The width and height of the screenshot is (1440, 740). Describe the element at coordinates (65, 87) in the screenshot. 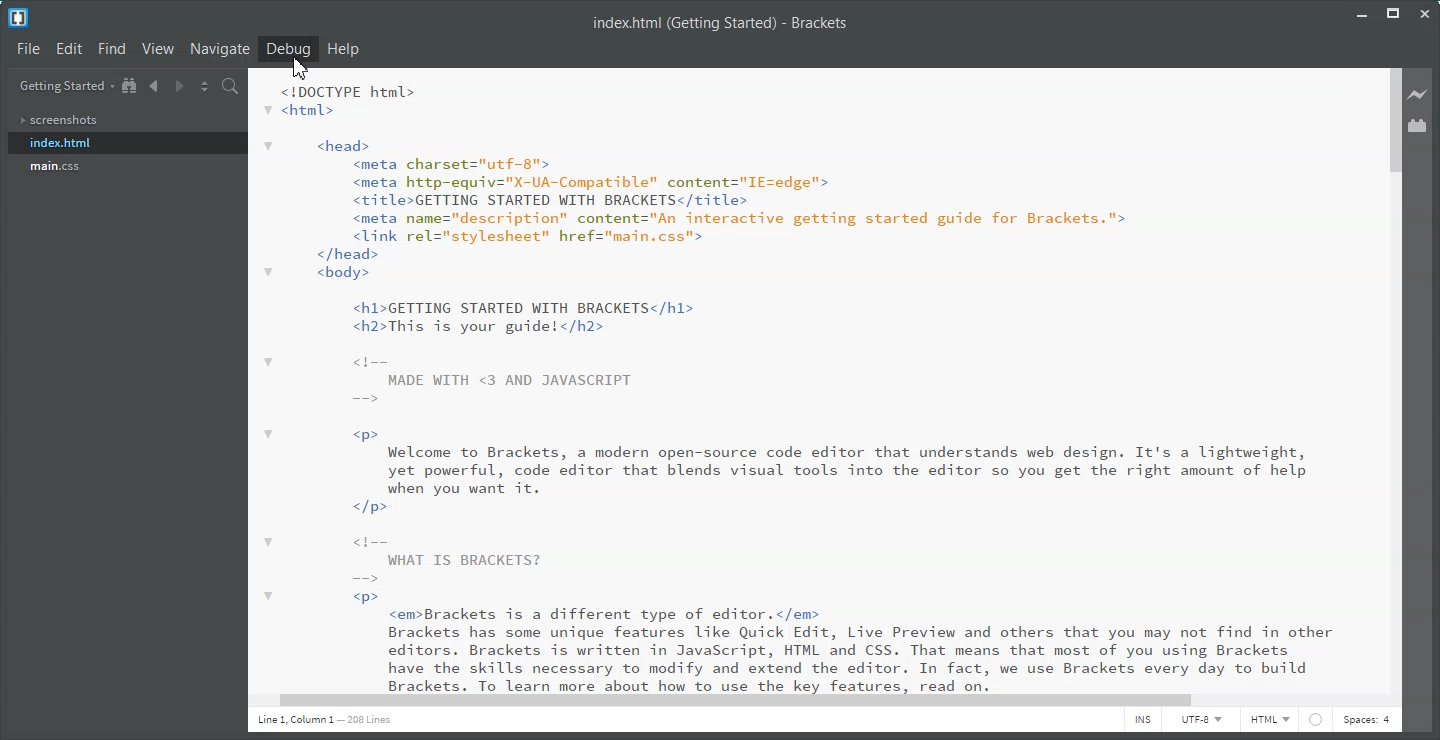

I see `Getting Started` at that location.